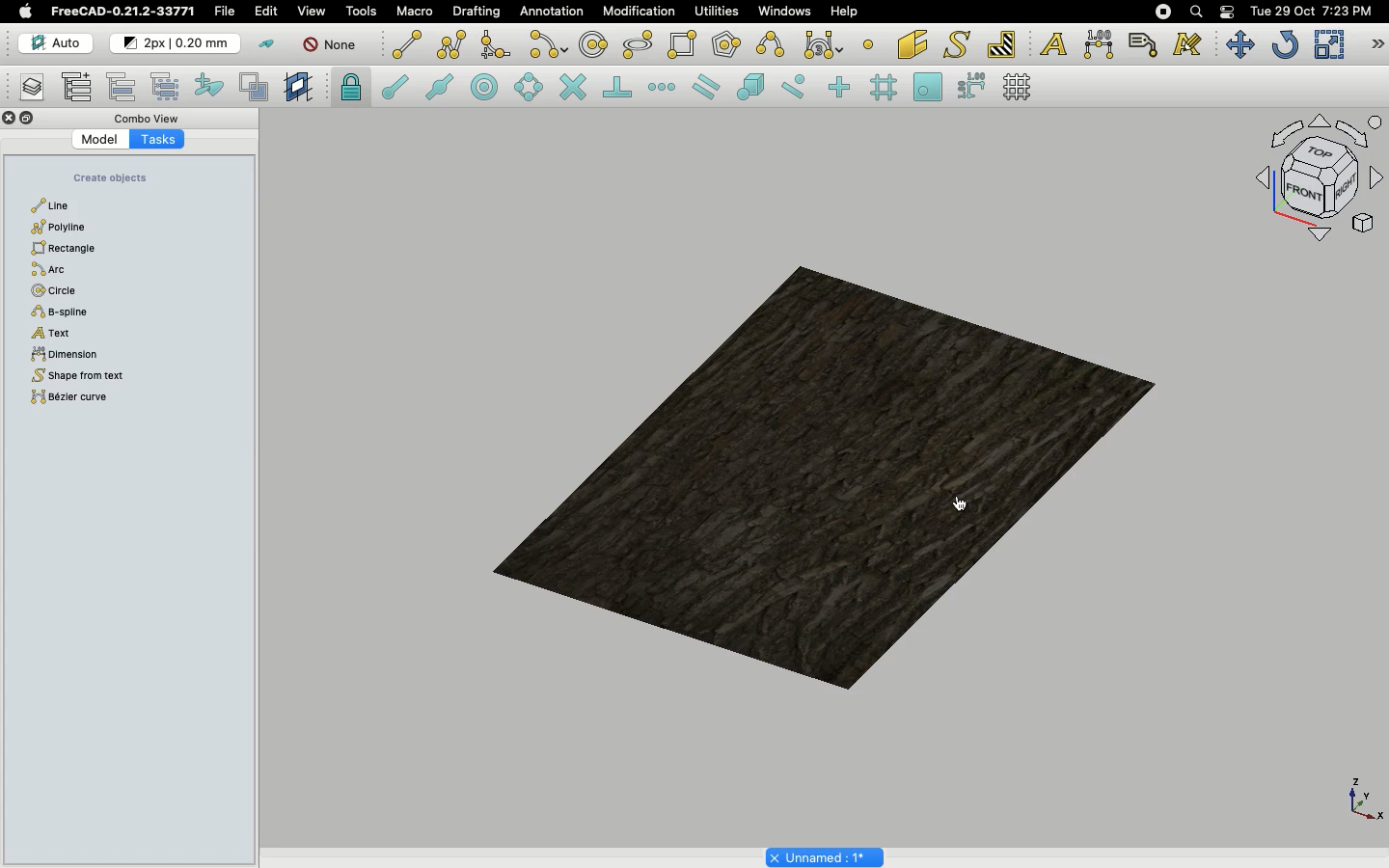 The width and height of the screenshot is (1389, 868). I want to click on Rectangle, so click(681, 44).